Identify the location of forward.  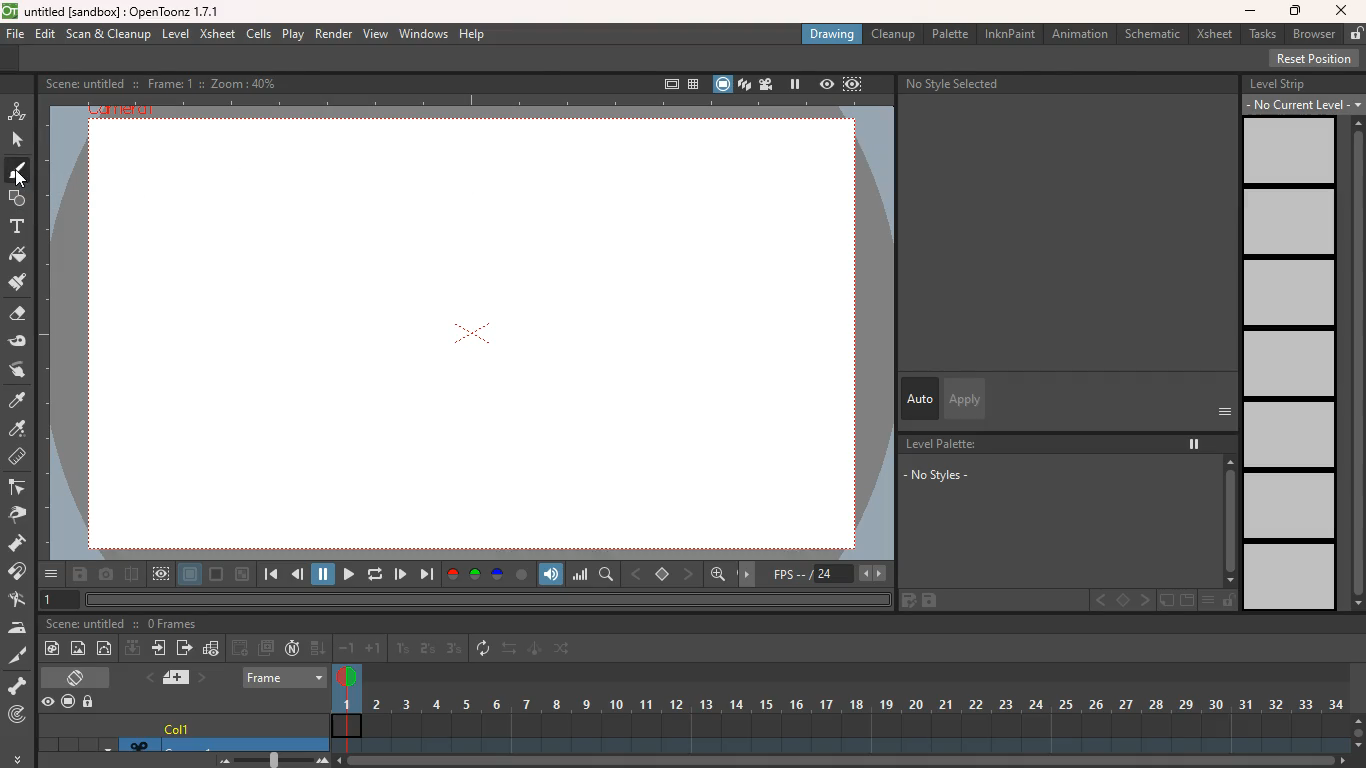
(346, 574).